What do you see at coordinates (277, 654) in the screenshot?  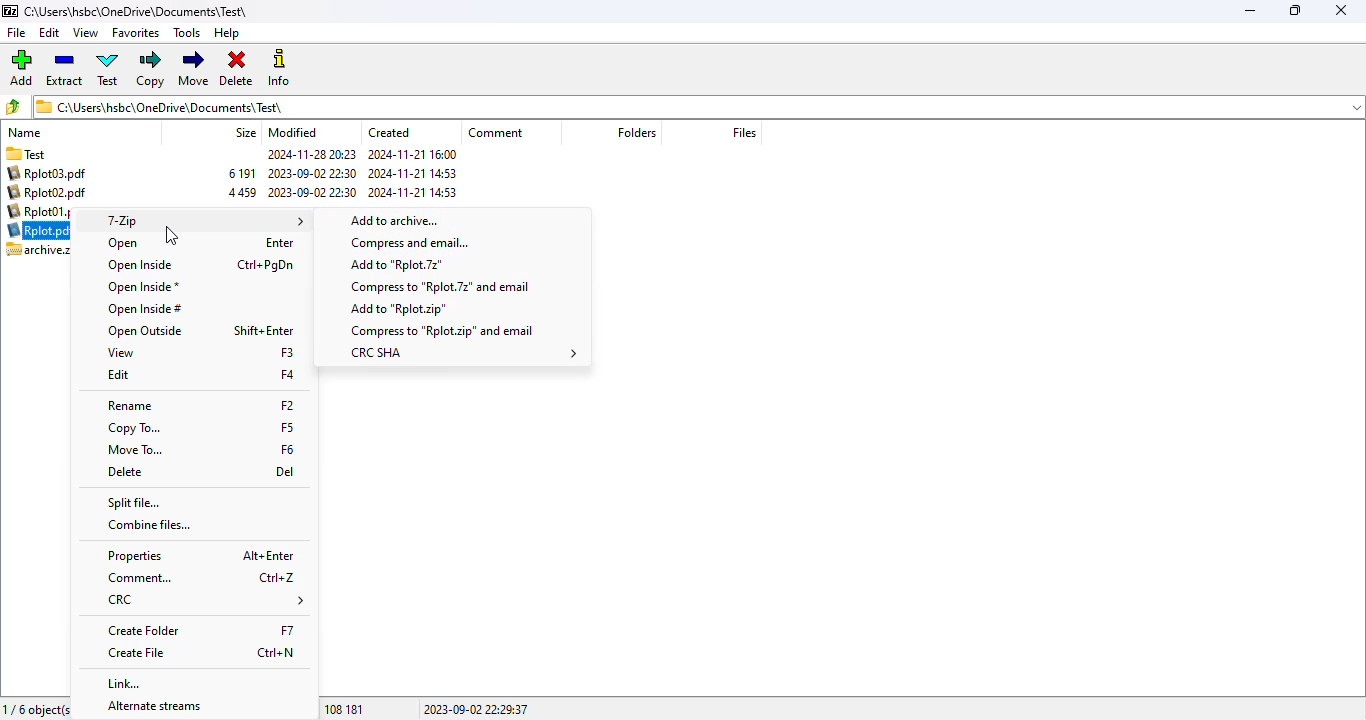 I see `shortcut for create file` at bounding box center [277, 654].